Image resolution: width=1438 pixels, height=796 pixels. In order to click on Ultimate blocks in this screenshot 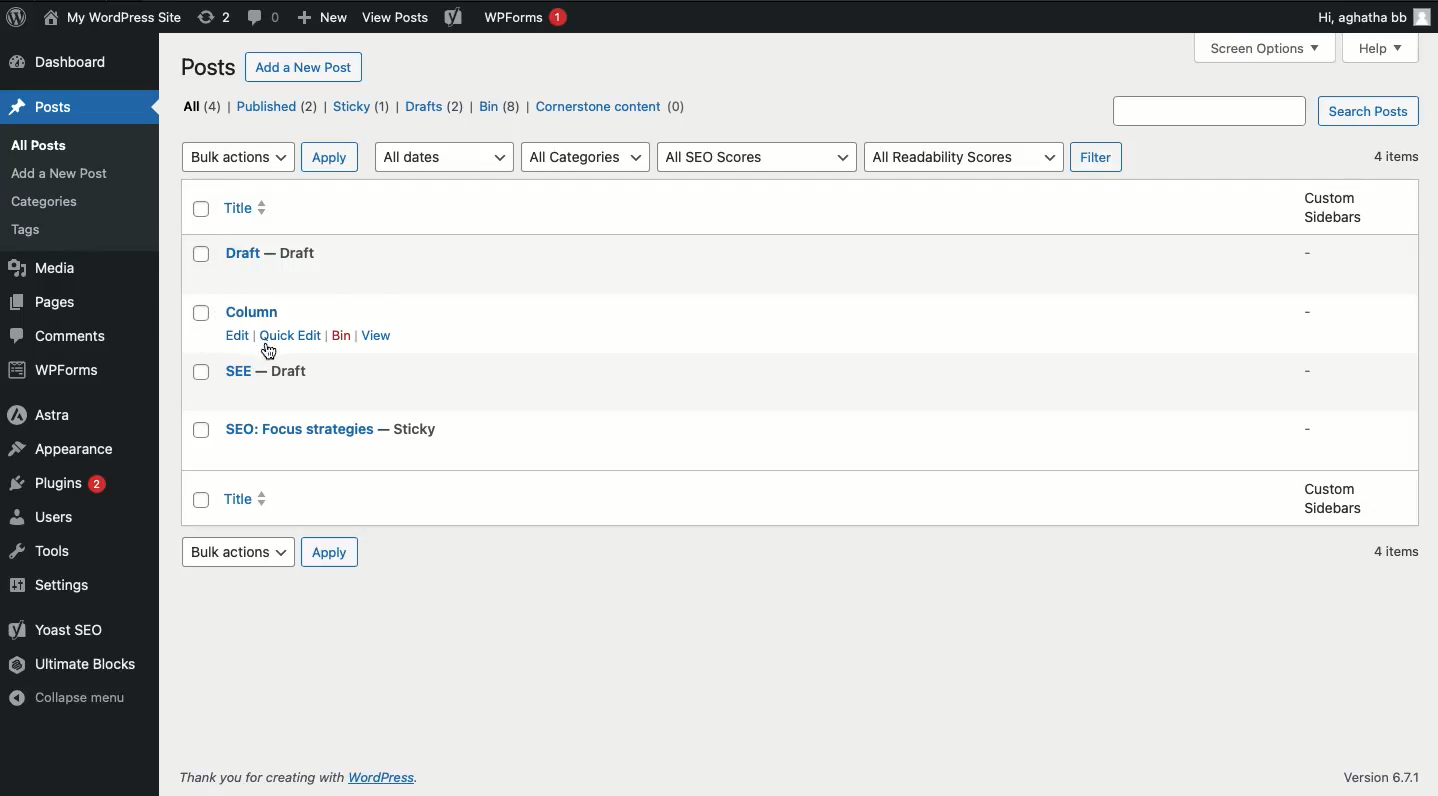, I will do `click(71, 668)`.